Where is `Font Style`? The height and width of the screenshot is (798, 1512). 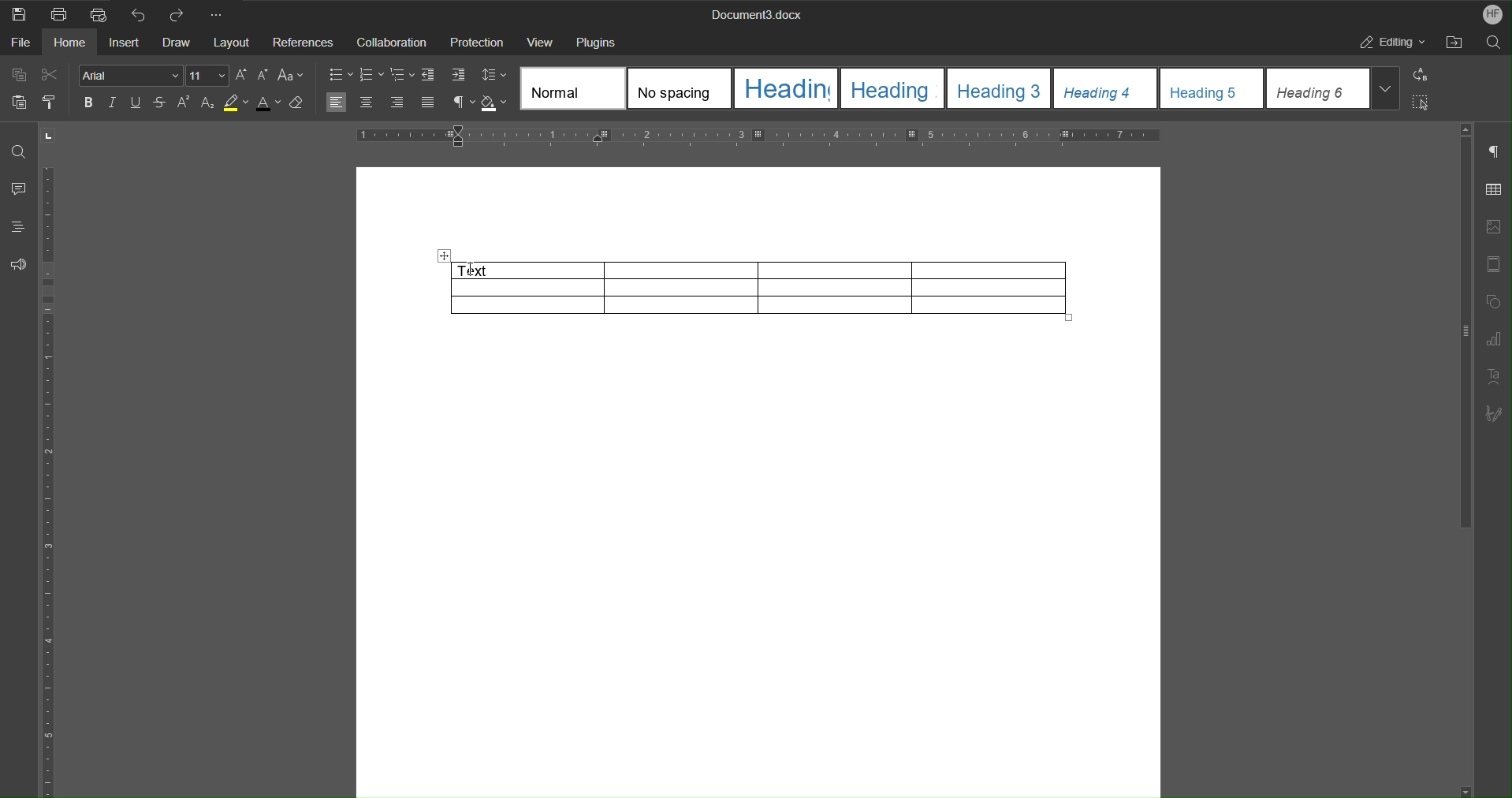
Font Style is located at coordinates (132, 76).